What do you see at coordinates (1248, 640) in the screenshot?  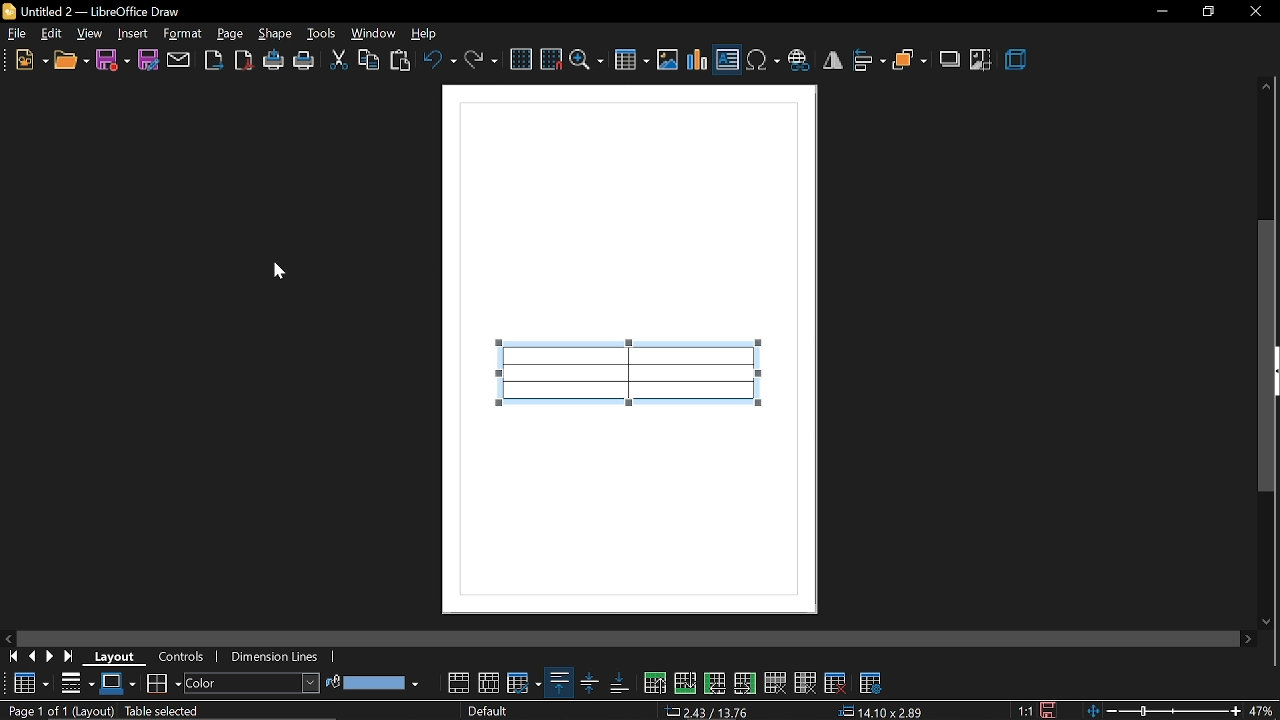 I see `move right` at bounding box center [1248, 640].